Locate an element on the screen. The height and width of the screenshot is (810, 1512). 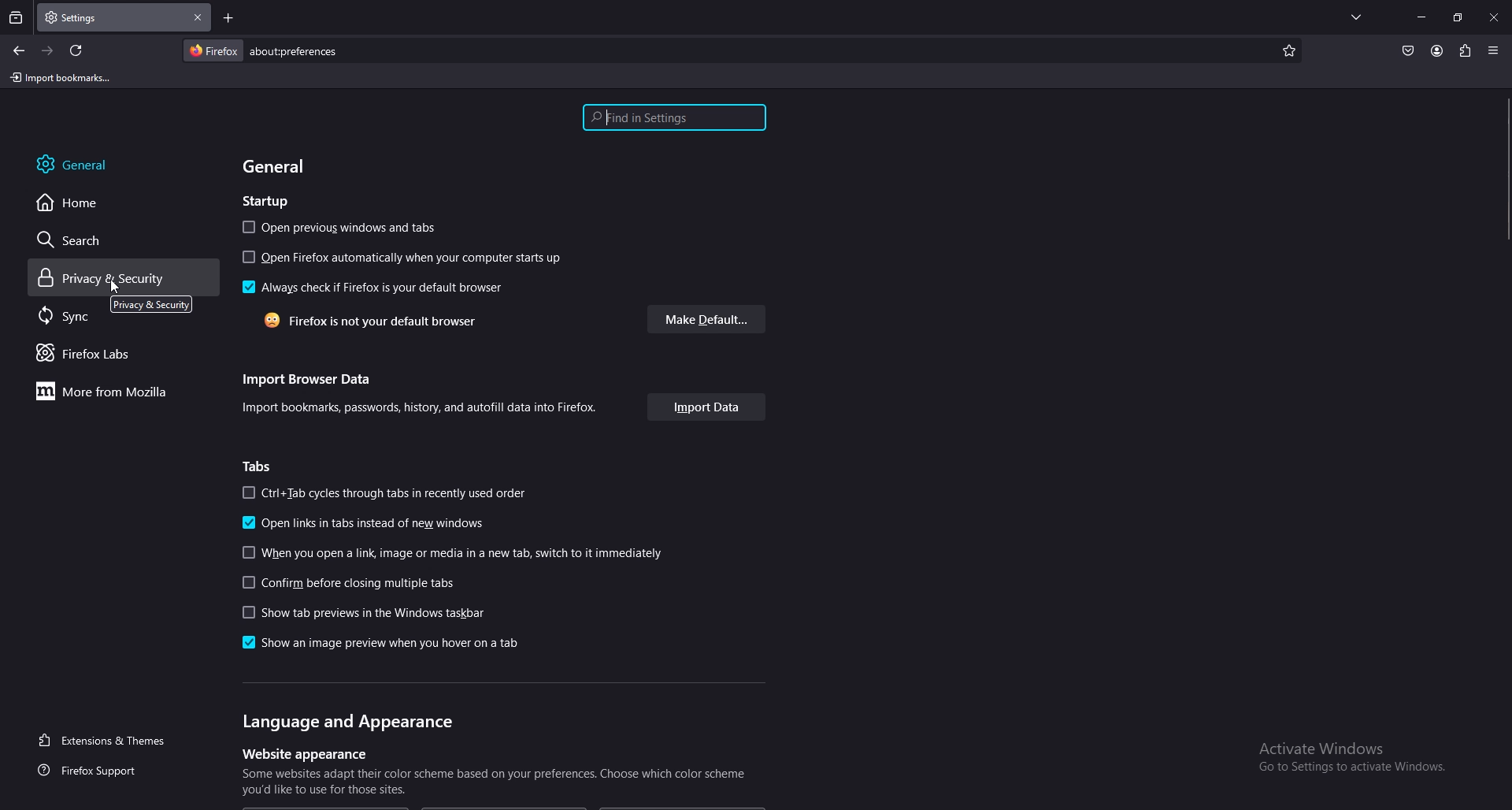
privacy and security is located at coordinates (128, 278).